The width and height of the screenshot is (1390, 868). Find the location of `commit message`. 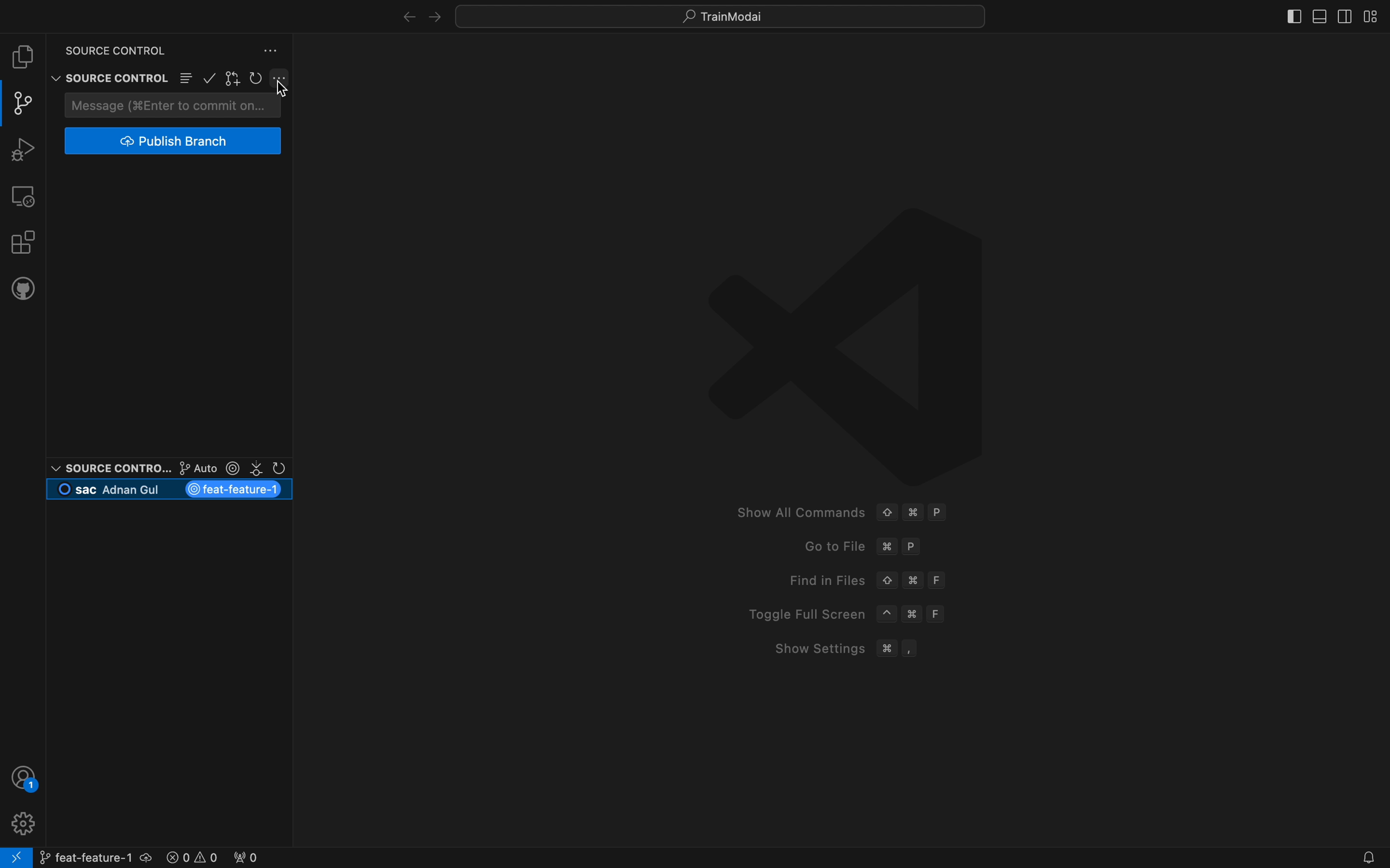

commit message is located at coordinates (175, 105).